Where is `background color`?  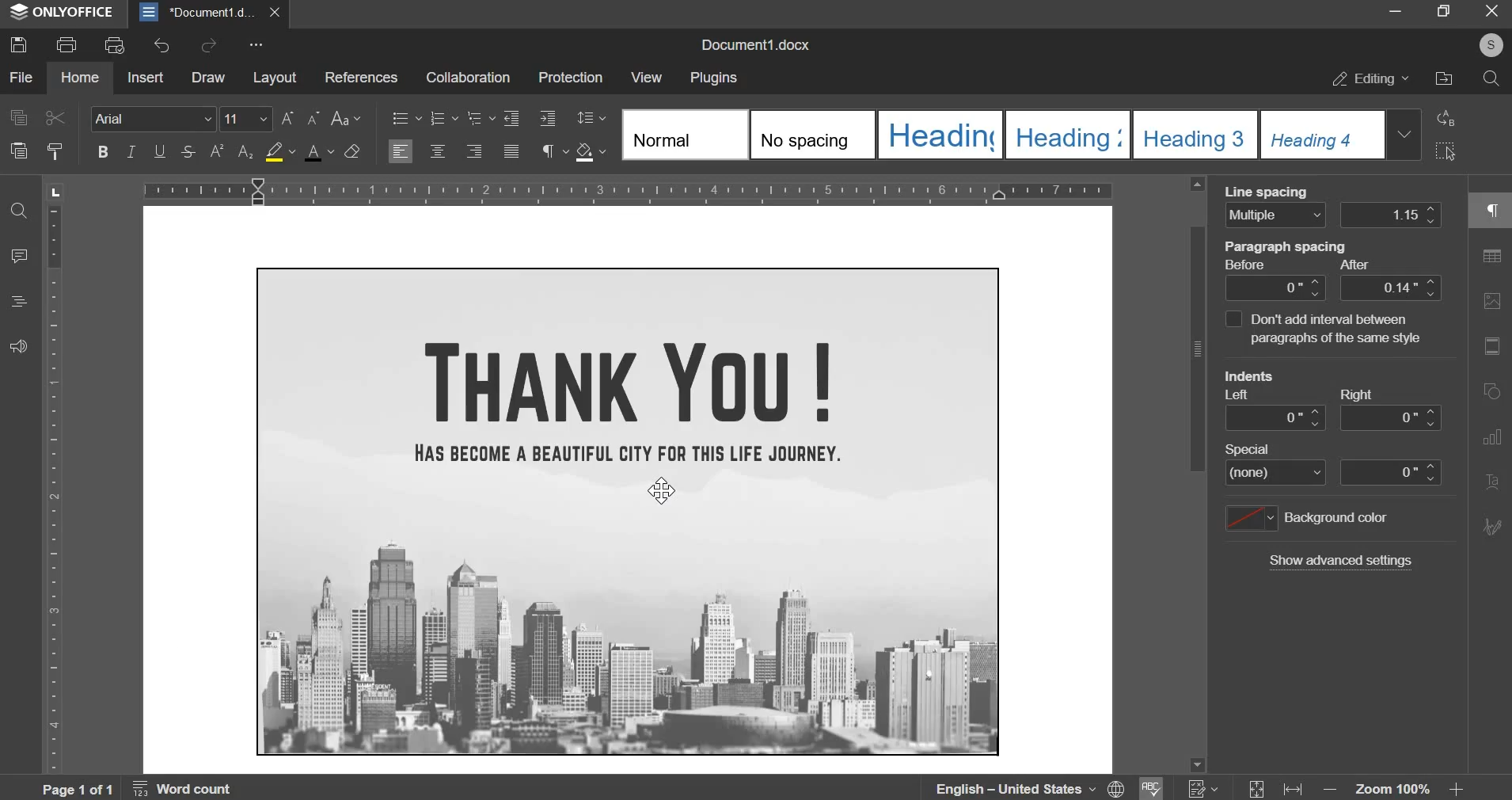
background color is located at coordinates (1249, 517).